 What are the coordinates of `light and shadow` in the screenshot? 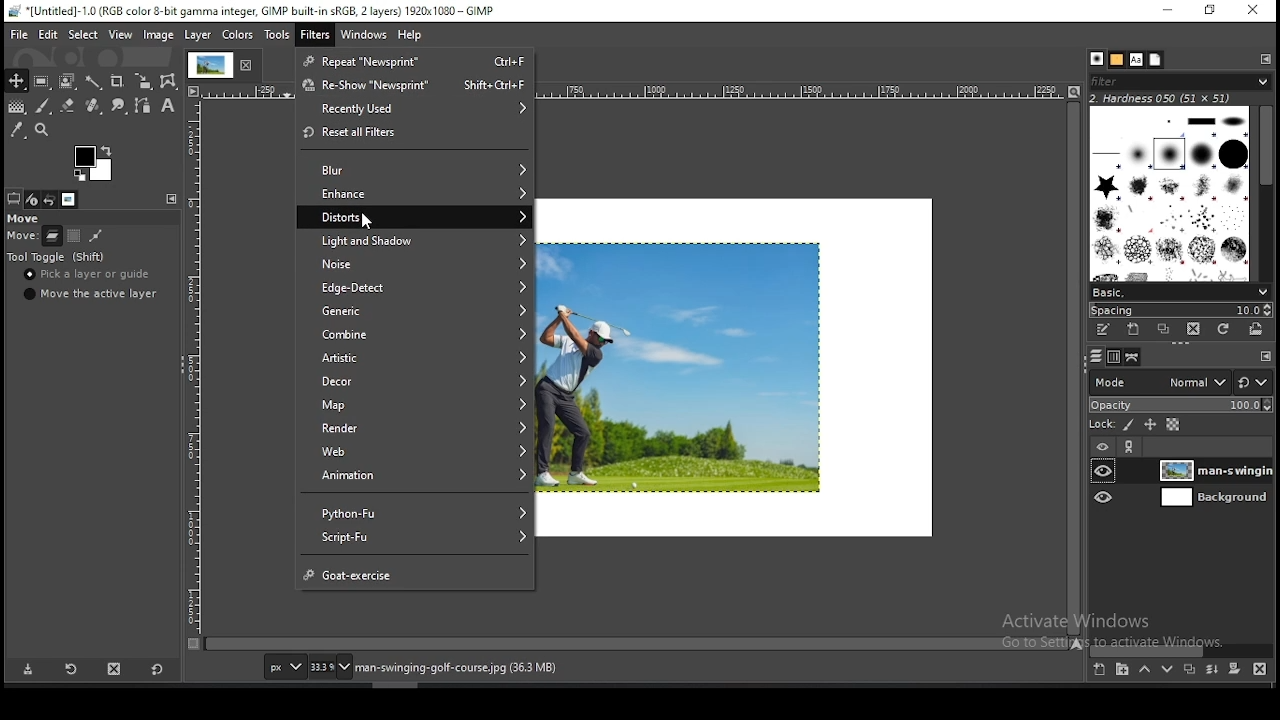 It's located at (415, 238).